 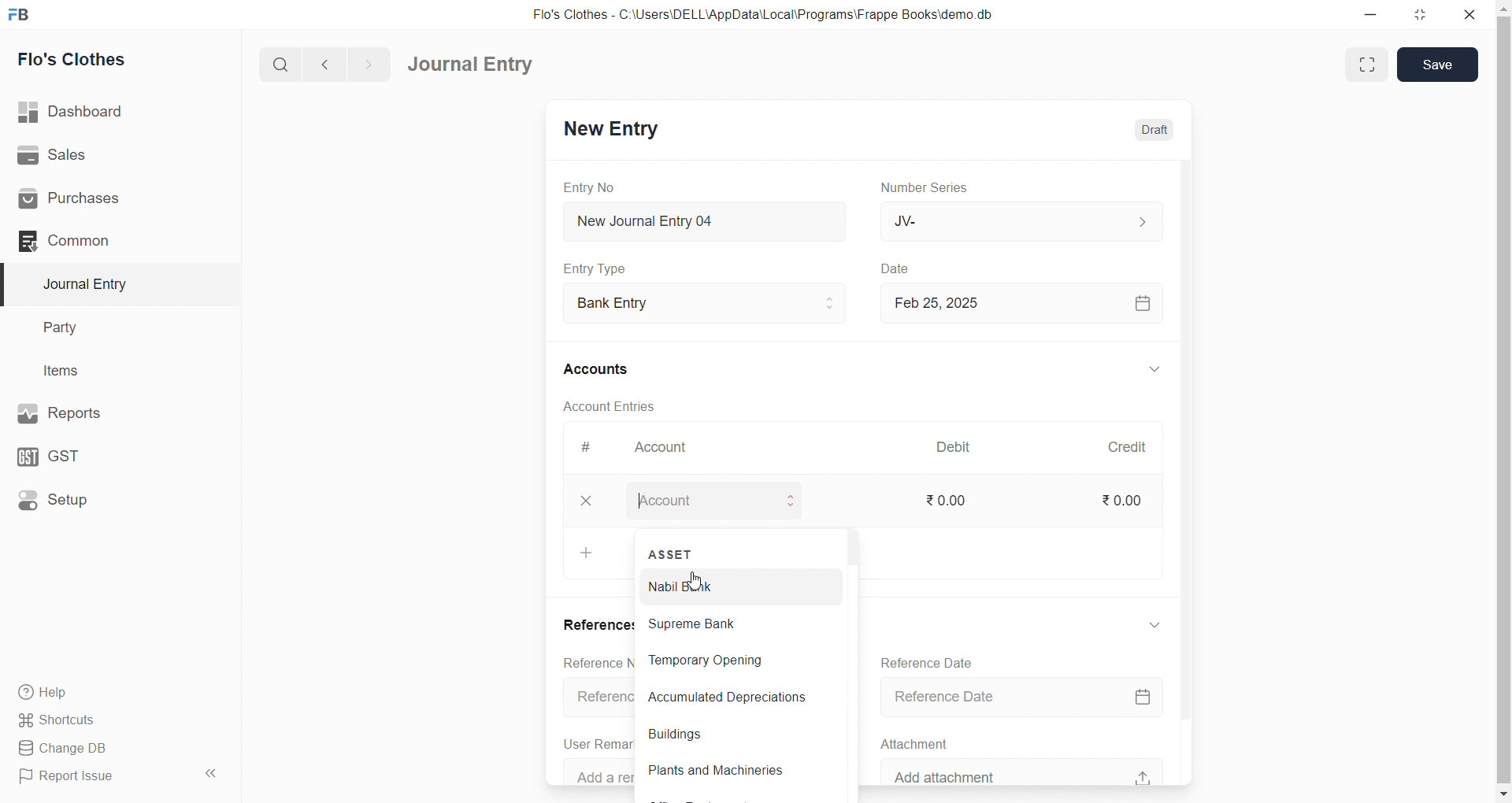 What do you see at coordinates (596, 742) in the screenshot?
I see `User Remark` at bounding box center [596, 742].